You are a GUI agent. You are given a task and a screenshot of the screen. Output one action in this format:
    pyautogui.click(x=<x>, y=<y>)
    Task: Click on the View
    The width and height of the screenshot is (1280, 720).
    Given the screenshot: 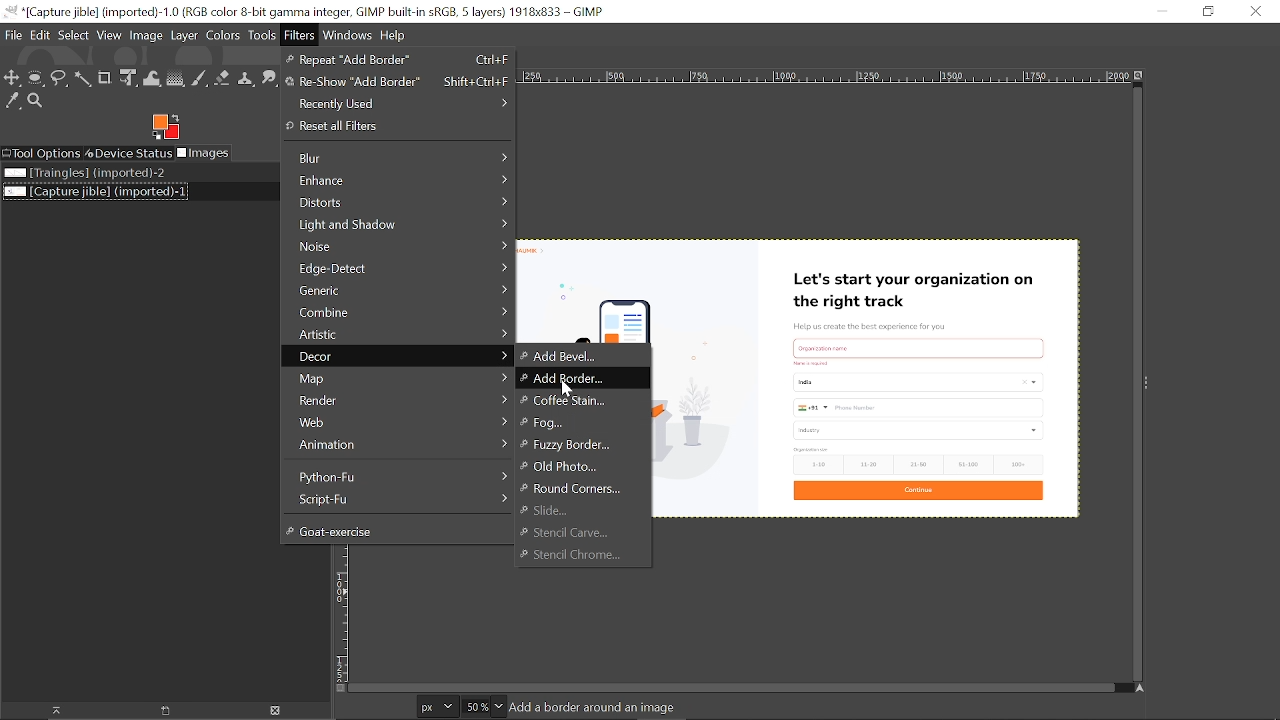 What is the action you would take?
    pyautogui.click(x=110, y=36)
    